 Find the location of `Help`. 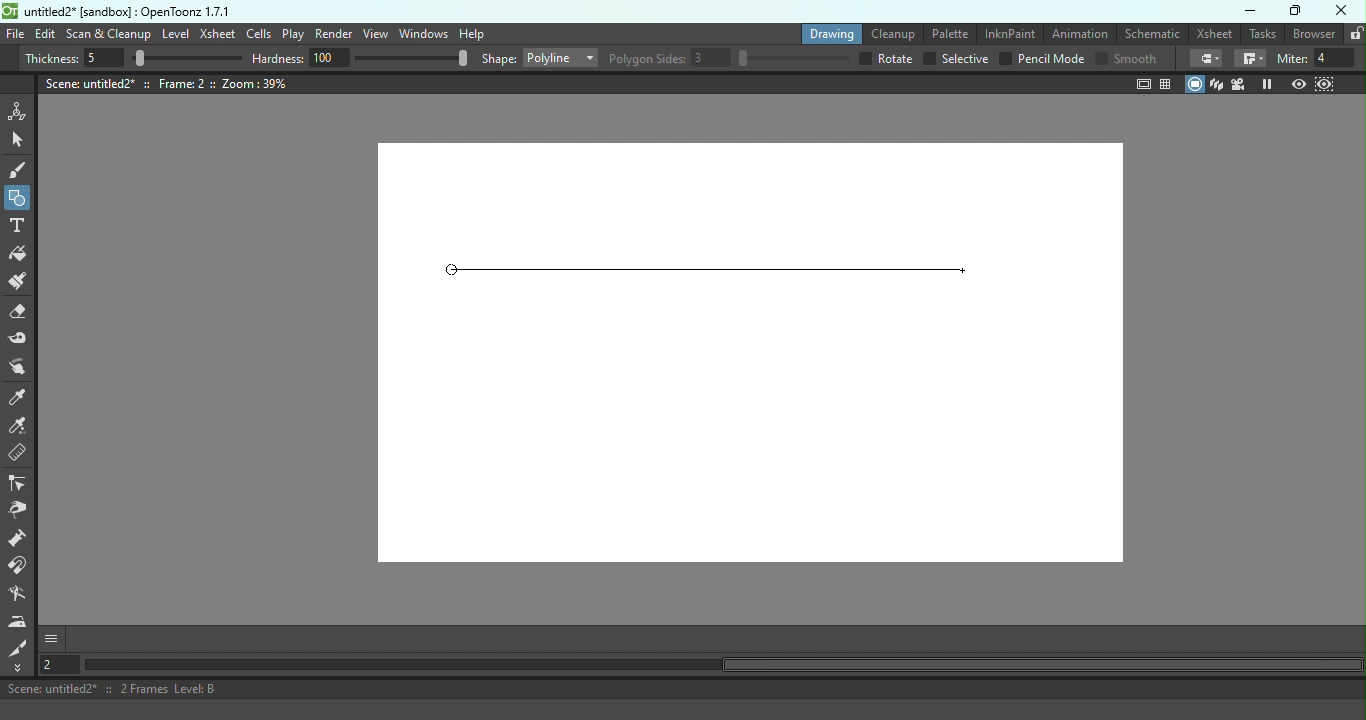

Help is located at coordinates (471, 33).